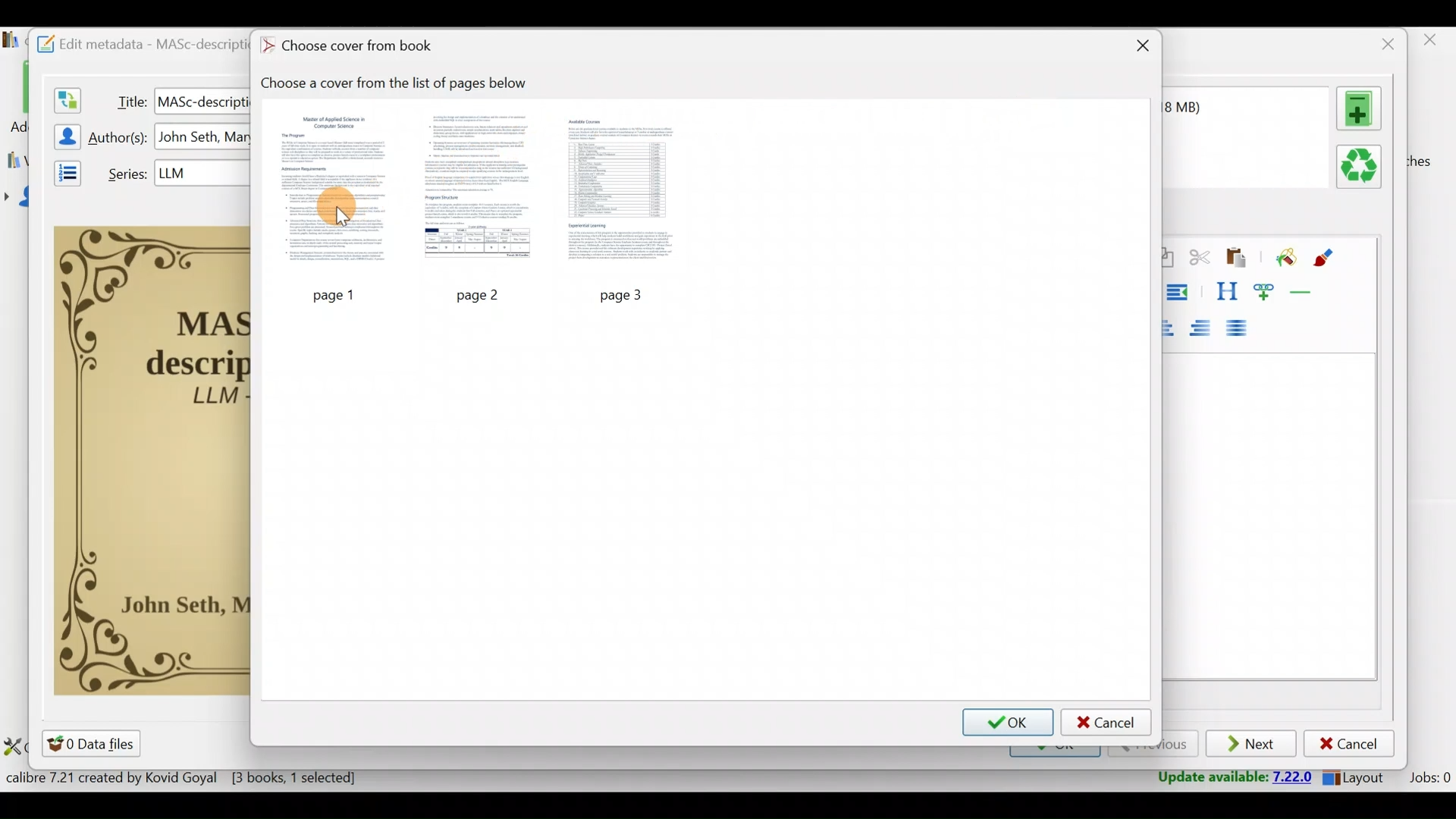 Image resolution: width=1456 pixels, height=819 pixels. I want to click on Insert separator, so click(1306, 292).